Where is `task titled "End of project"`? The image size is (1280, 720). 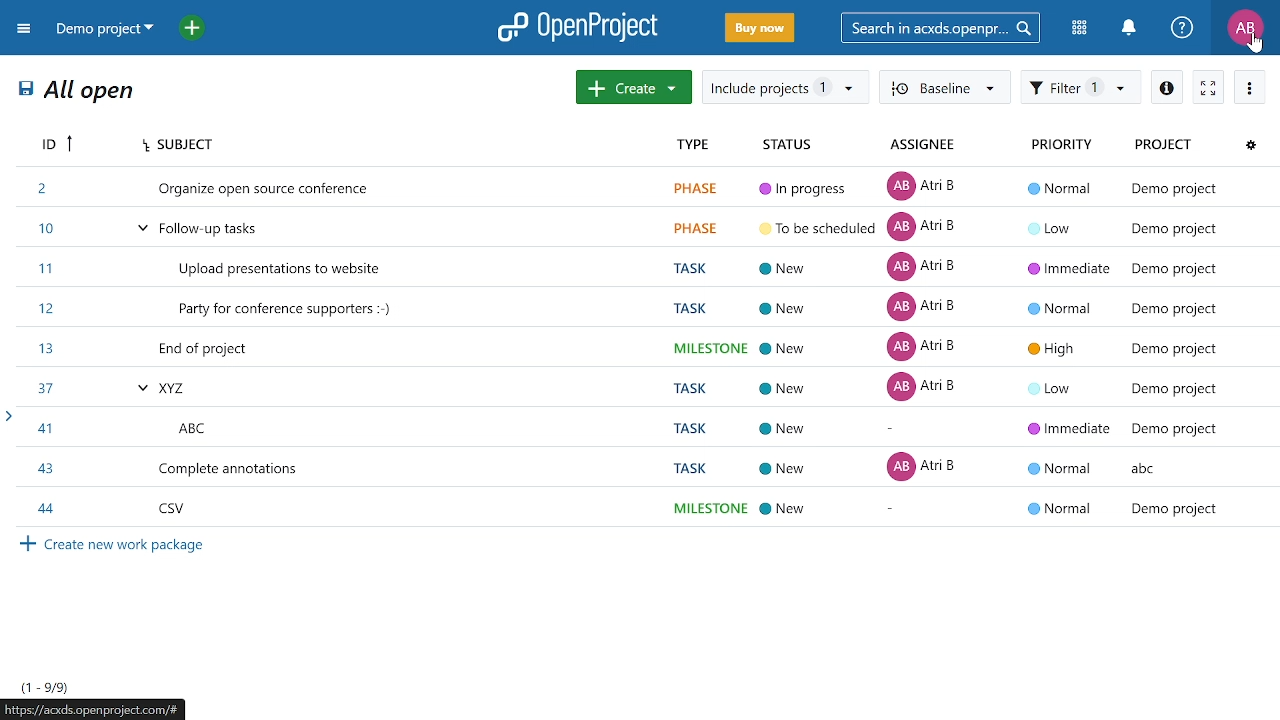
task titled "End of project" is located at coordinates (642, 348).